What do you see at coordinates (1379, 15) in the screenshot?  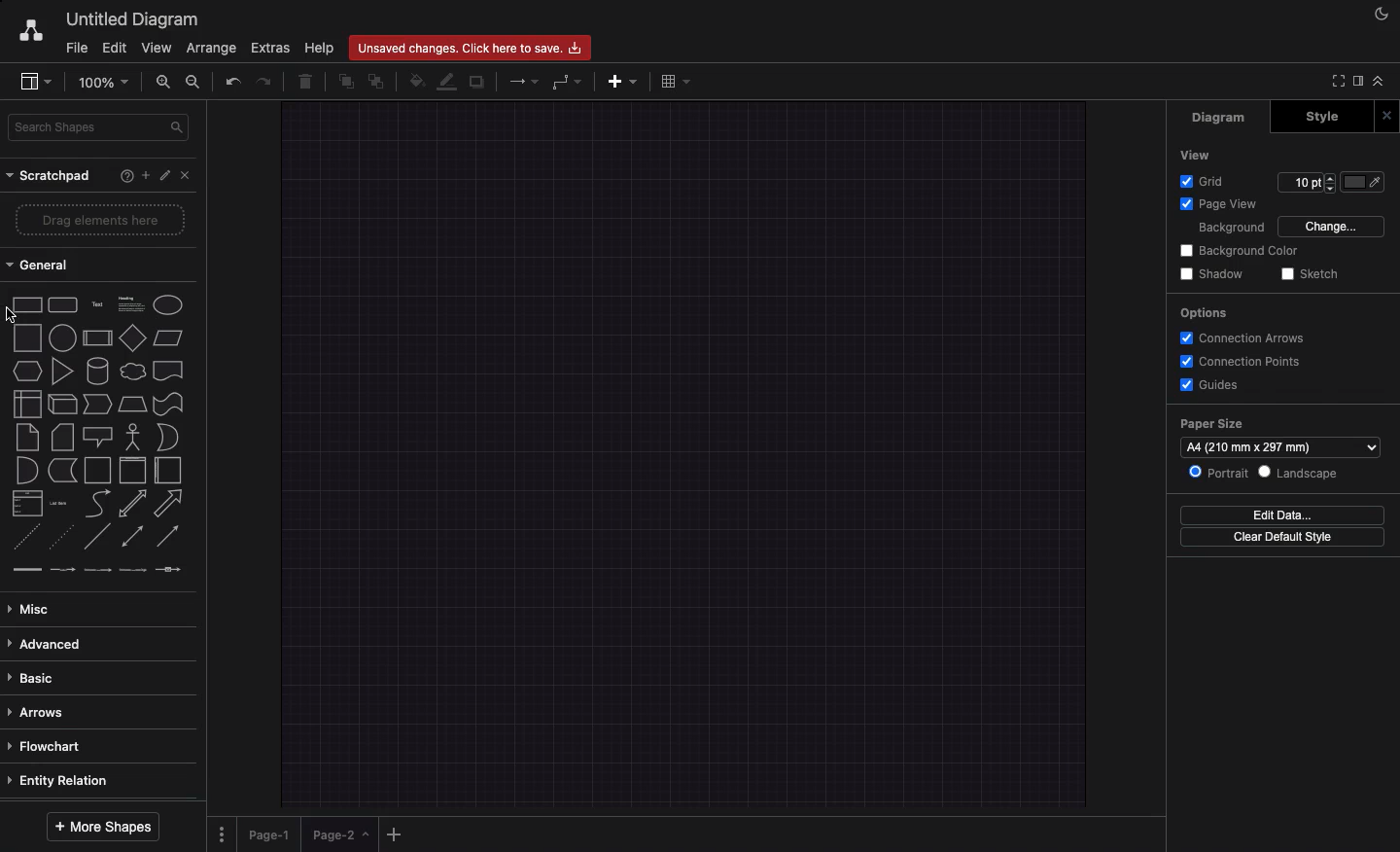 I see `Night shift ` at bounding box center [1379, 15].